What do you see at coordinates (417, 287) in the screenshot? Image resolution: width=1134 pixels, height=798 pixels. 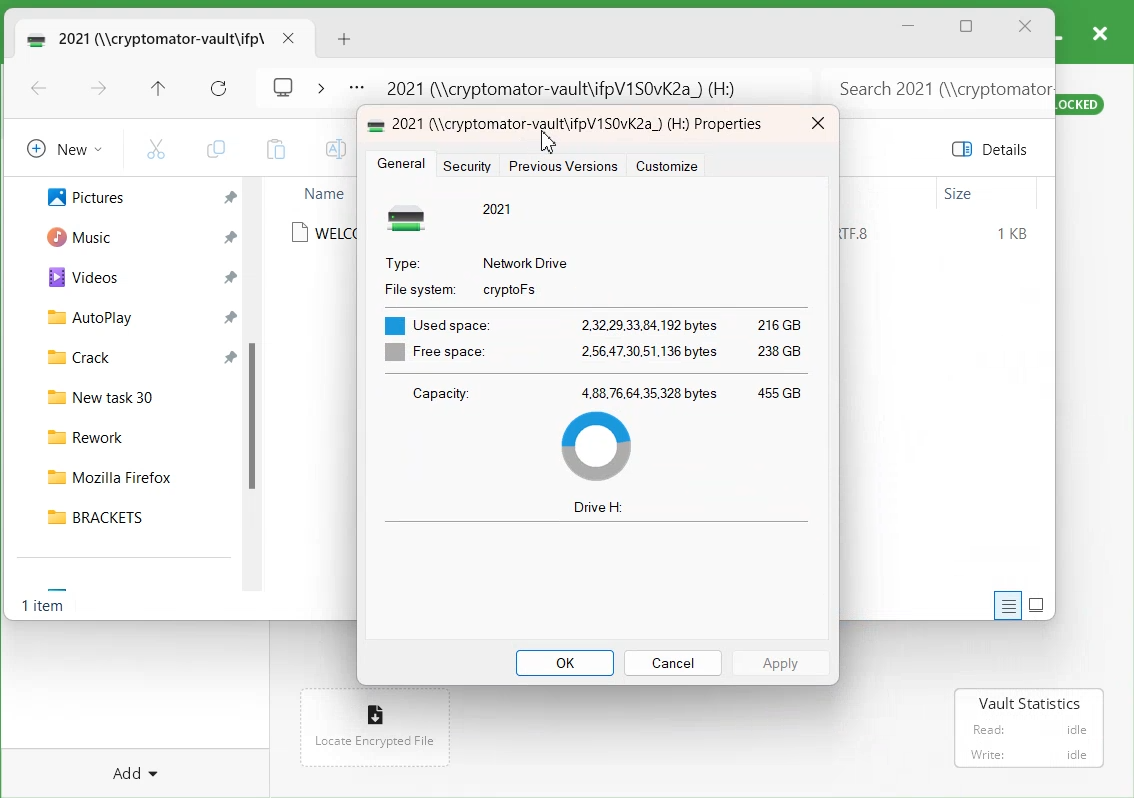 I see `File system` at bounding box center [417, 287].